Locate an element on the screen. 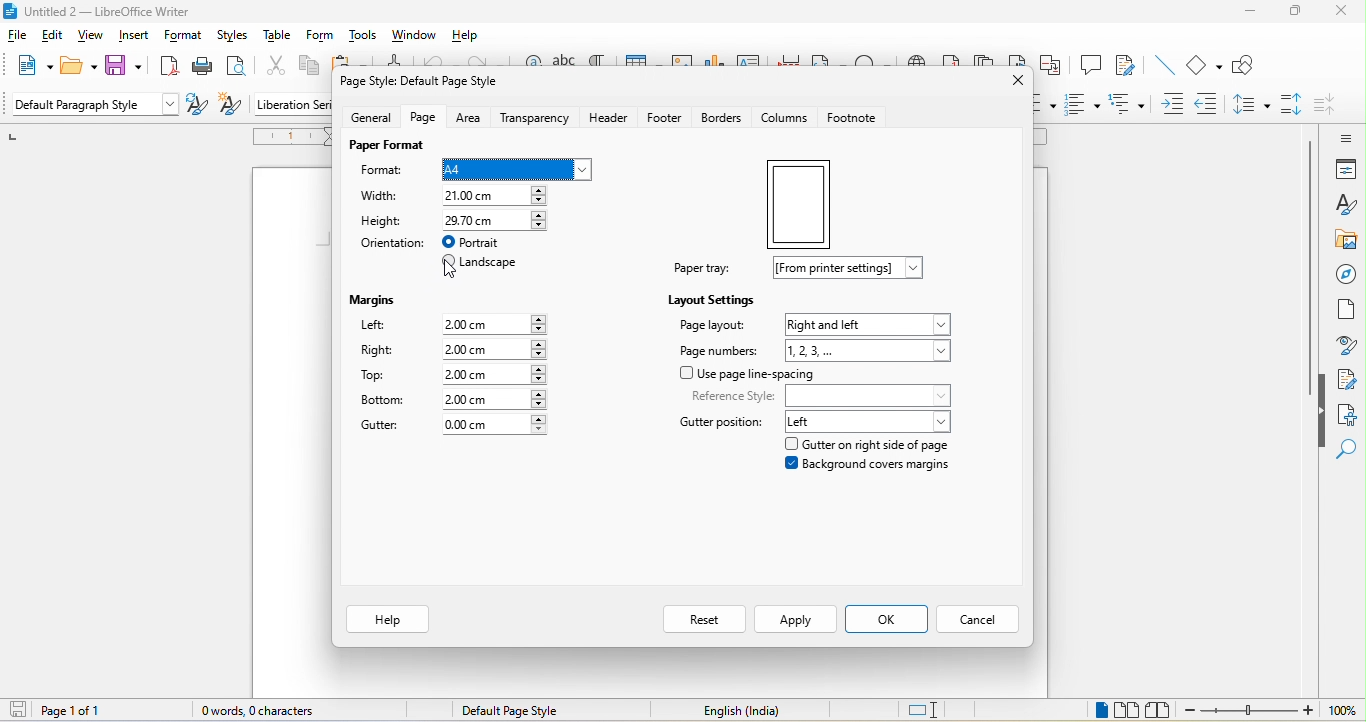 The width and height of the screenshot is (1366, 722). single page view is located at coordinates (1096, 710).